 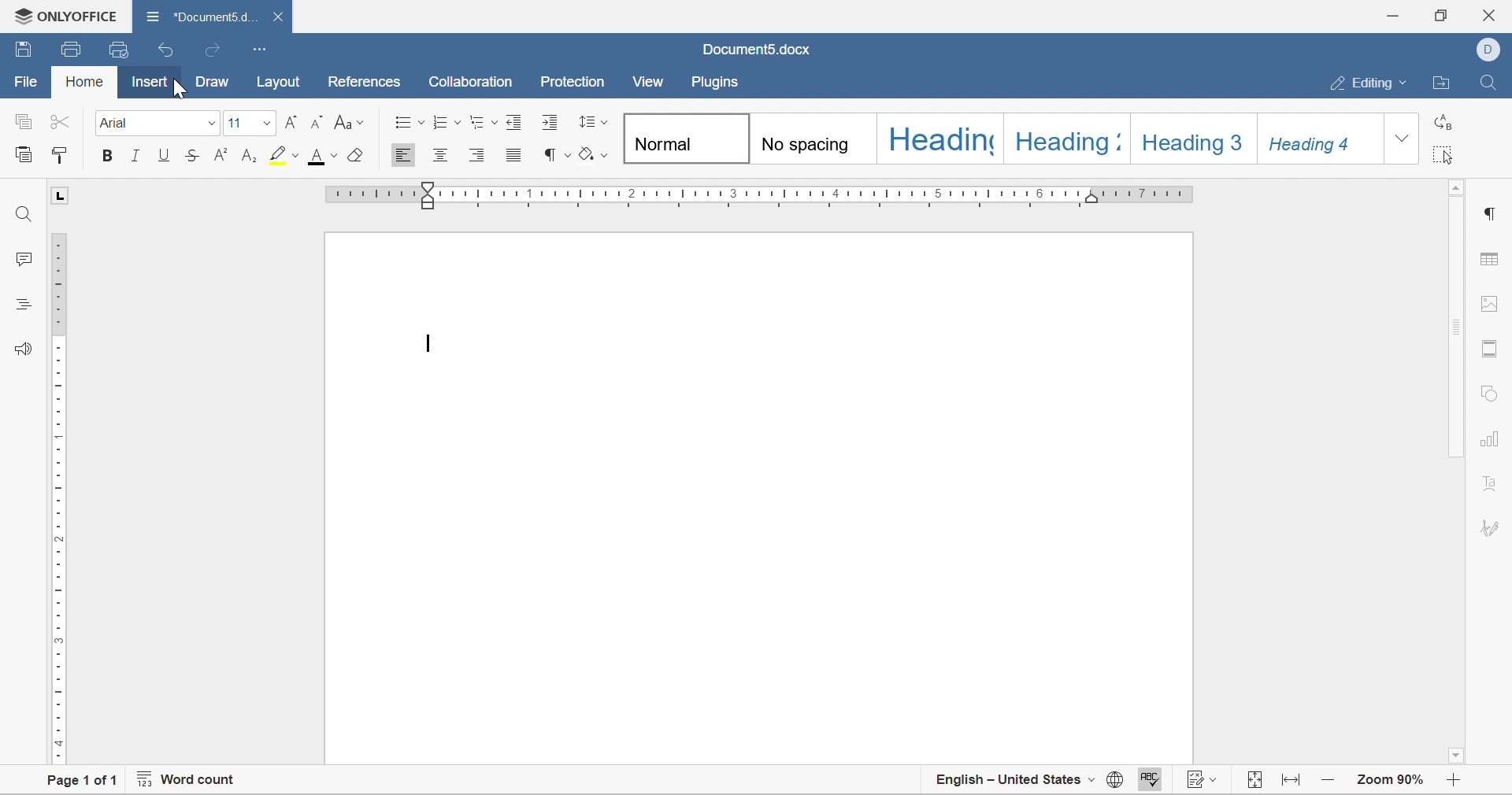 I want to click on L, so click(x=64, y=198).